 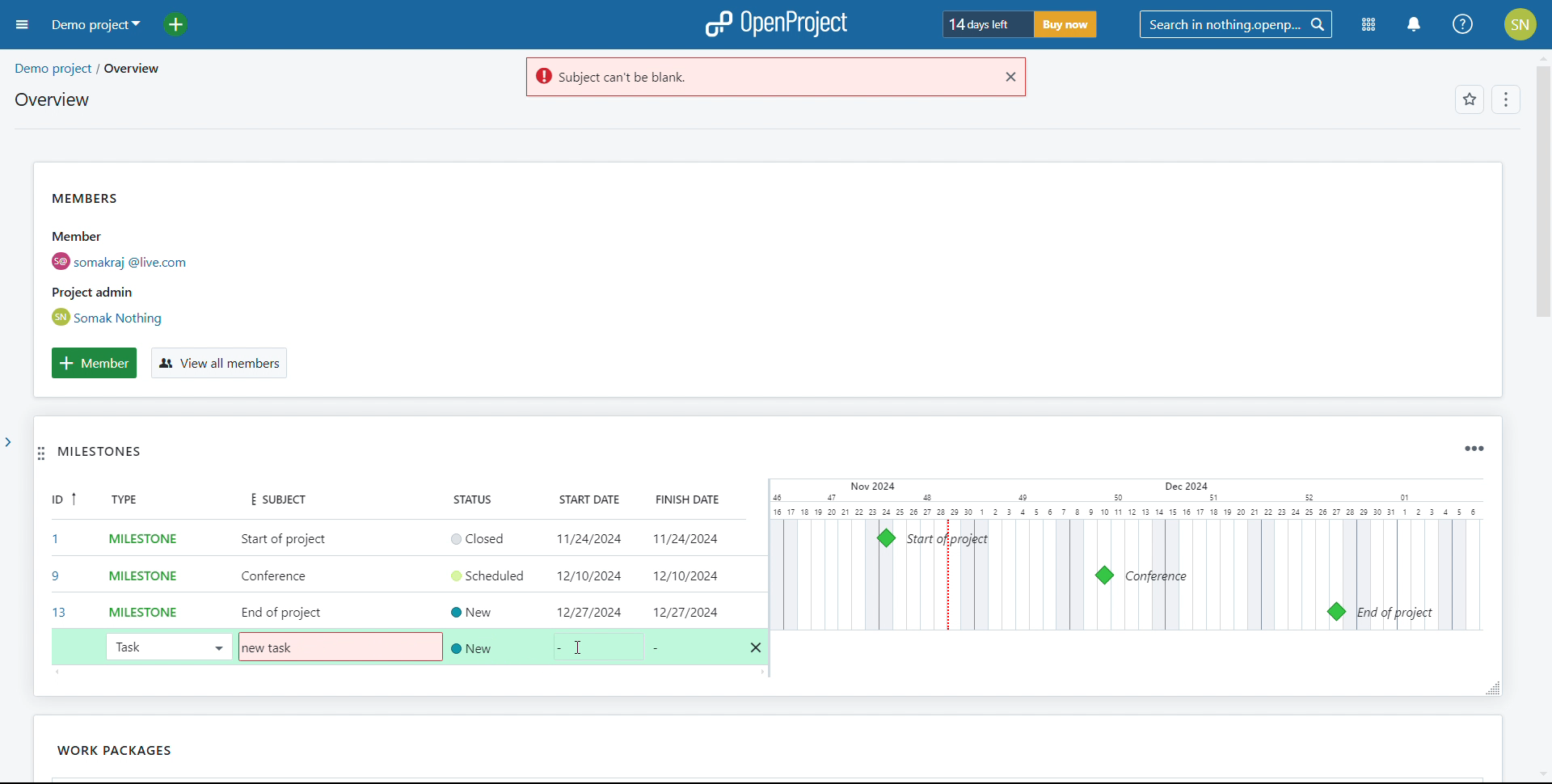 What do you see at coordinates (149, 258) in the screenshot?
I see `members` at bounding box center [149, 258].